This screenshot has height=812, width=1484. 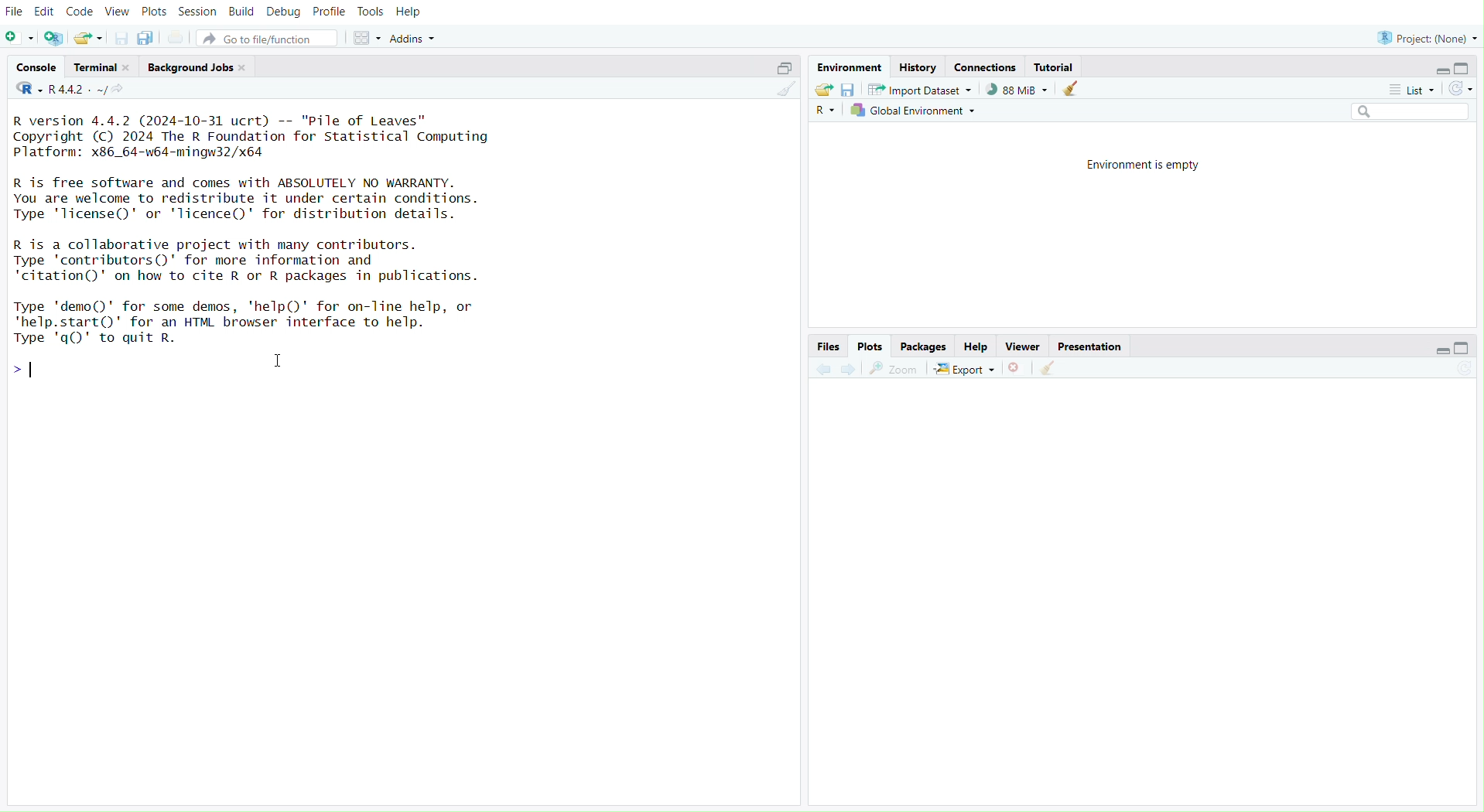 I want to click on Load workspace, so click(x=824, y=88).